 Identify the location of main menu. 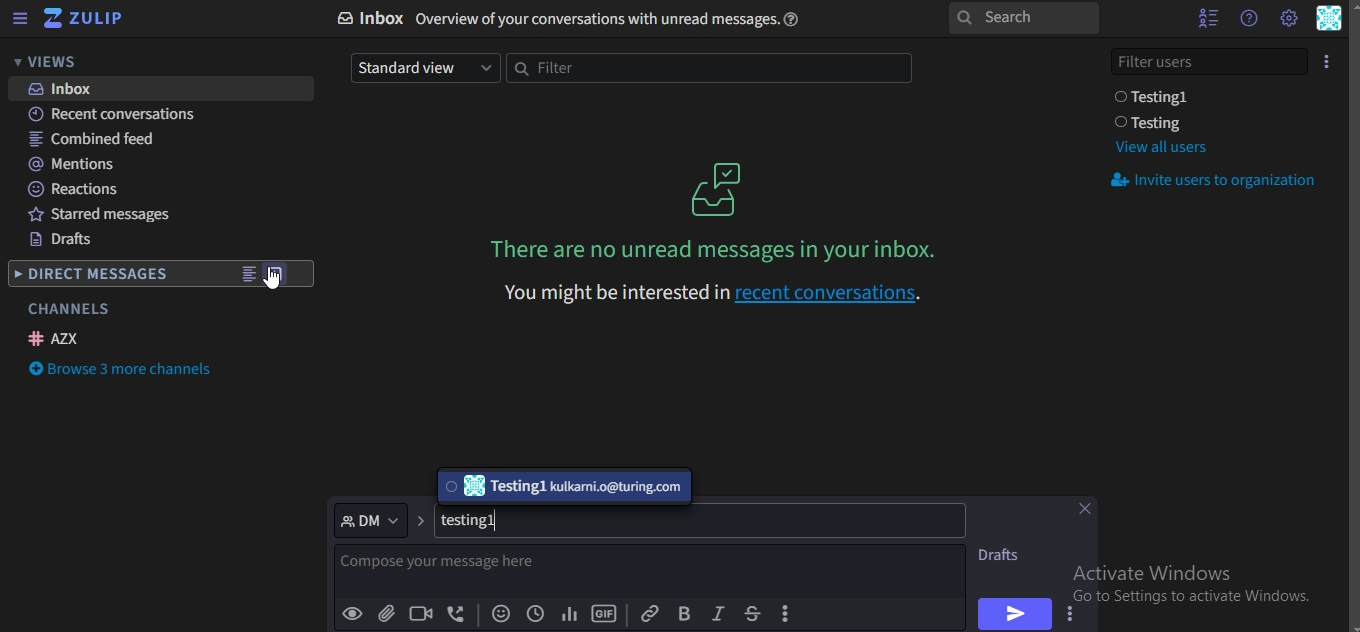
(1288, 18).